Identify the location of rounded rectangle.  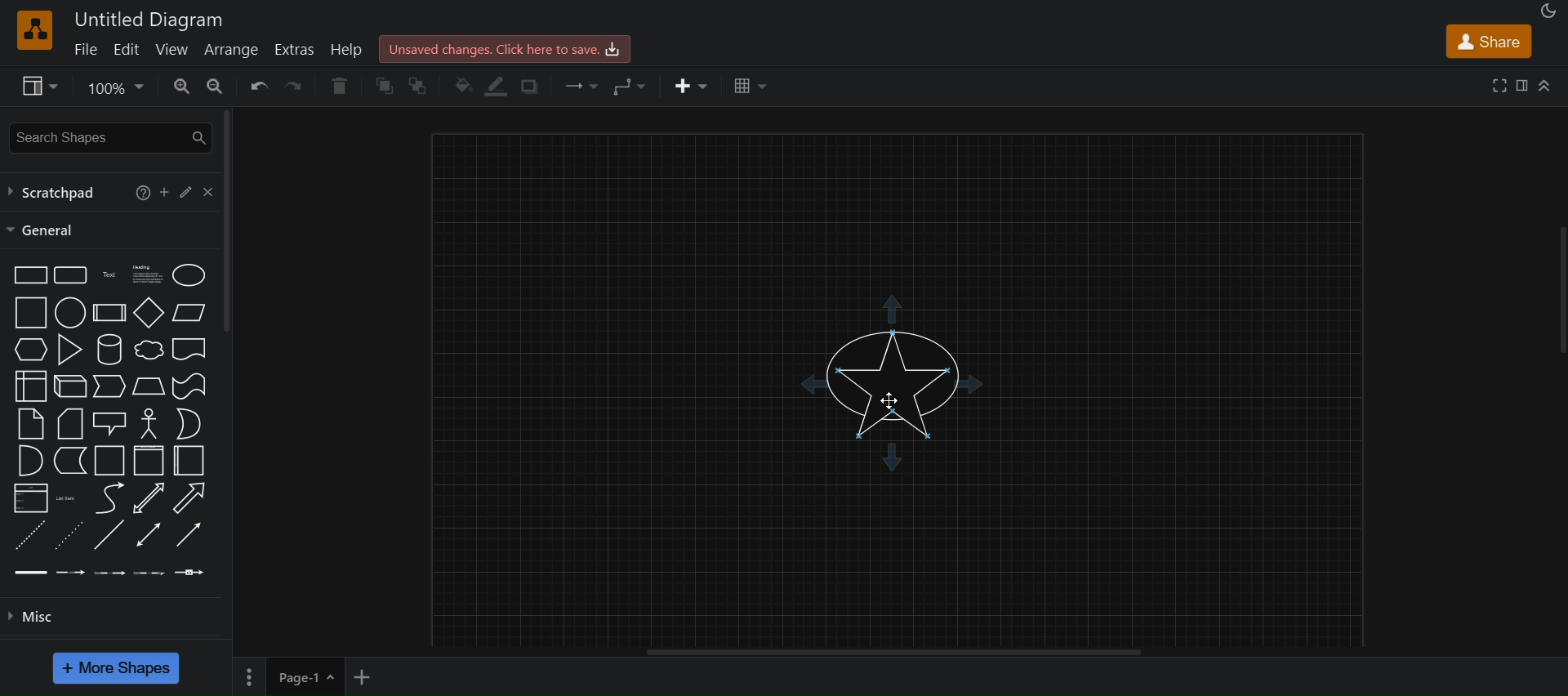
(69, 274).